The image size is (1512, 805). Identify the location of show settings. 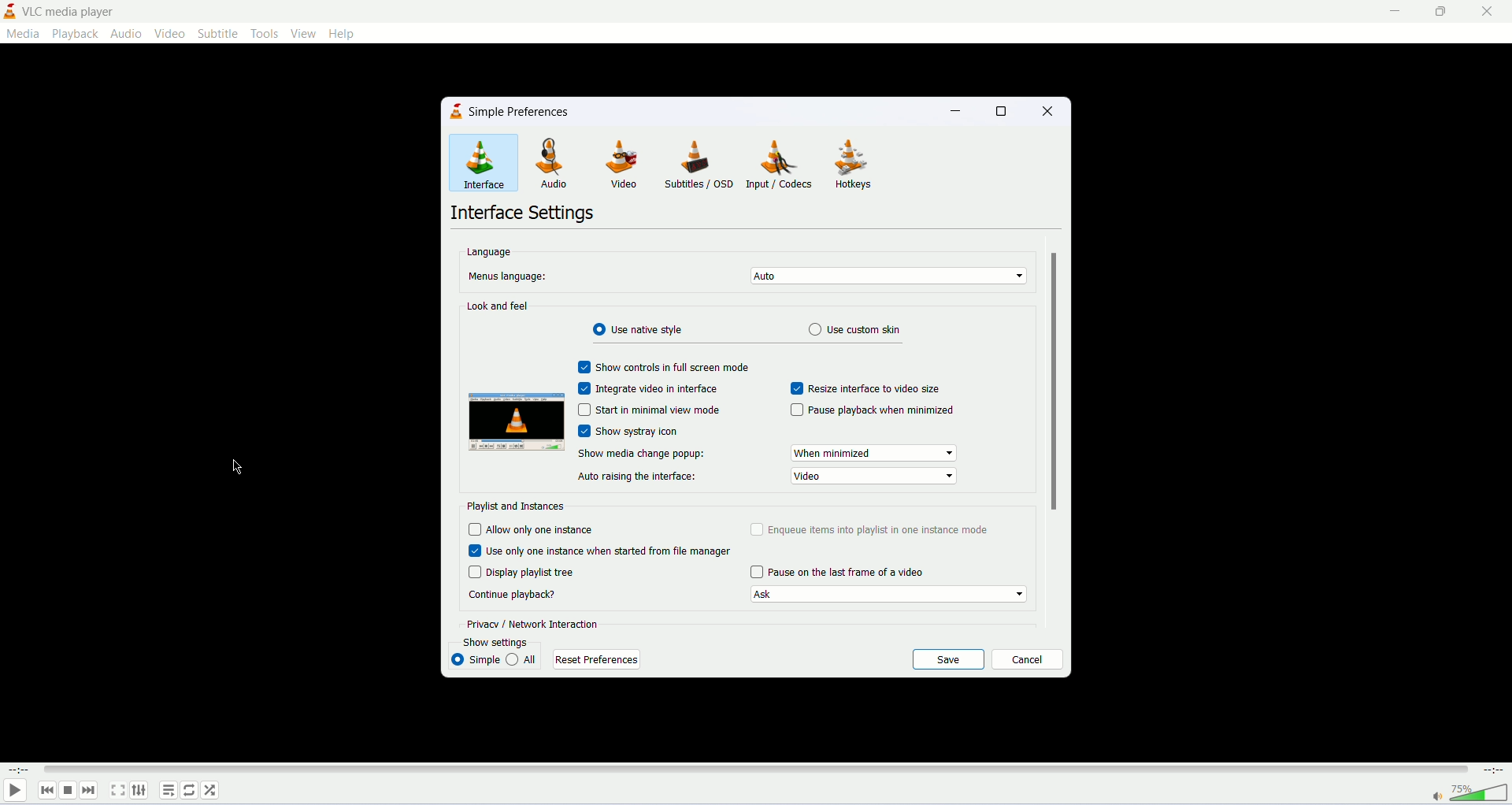
(502, 643).